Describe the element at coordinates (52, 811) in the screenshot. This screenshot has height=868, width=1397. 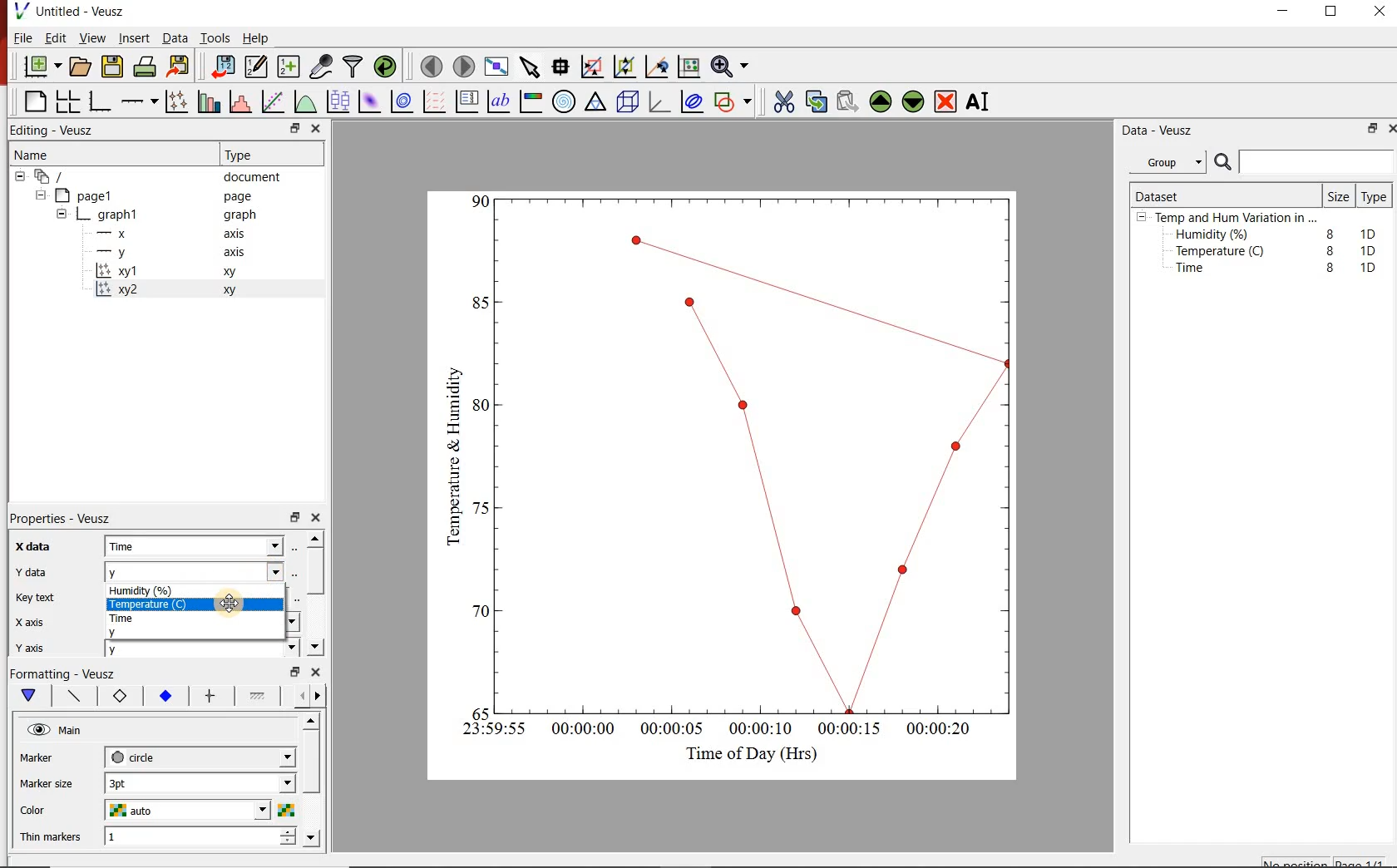
I see `Color` at that location.